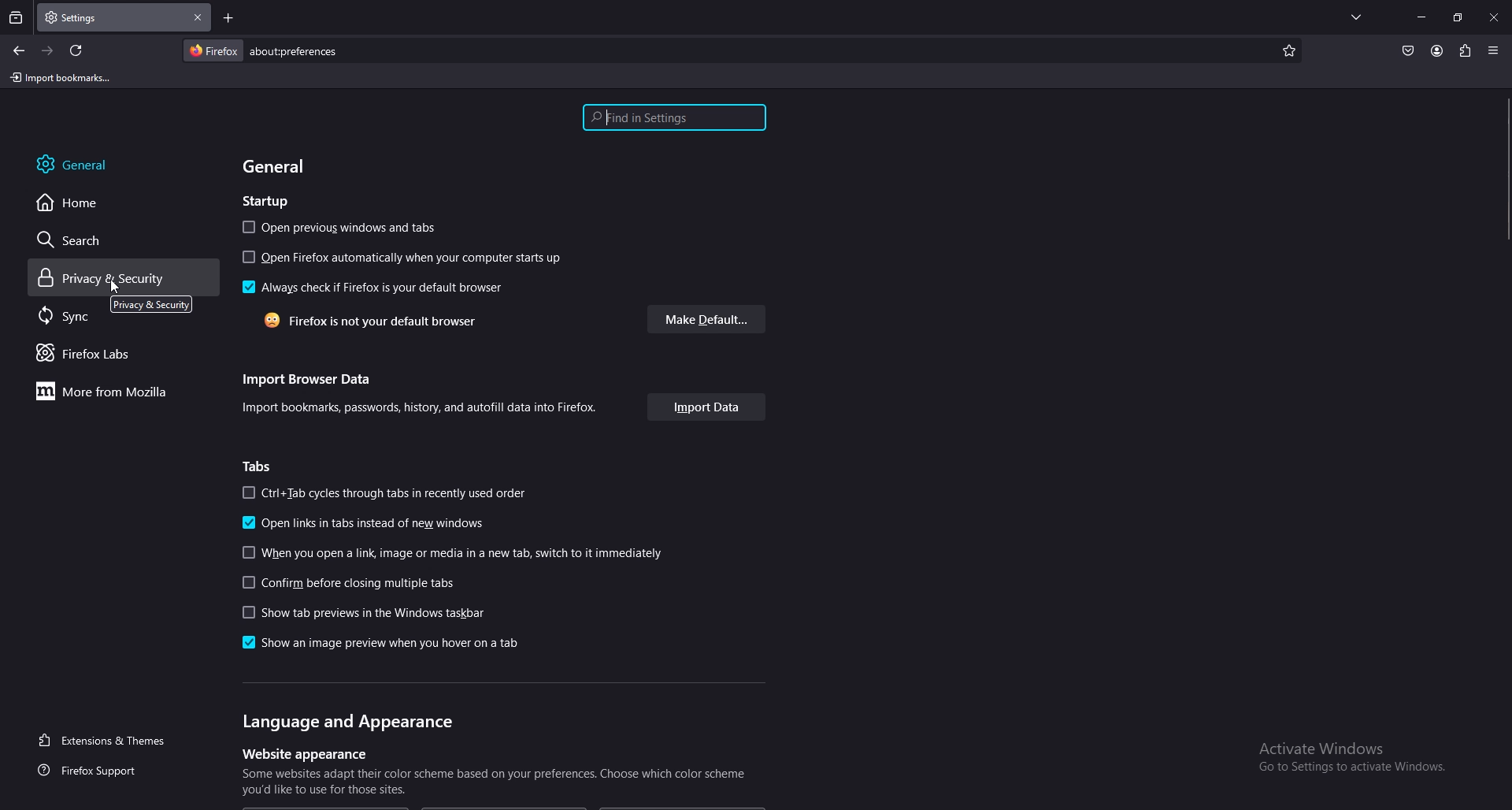 The width and height of the screenshot is (1512, 810). I want to click on find in settings, so click(679, 116).